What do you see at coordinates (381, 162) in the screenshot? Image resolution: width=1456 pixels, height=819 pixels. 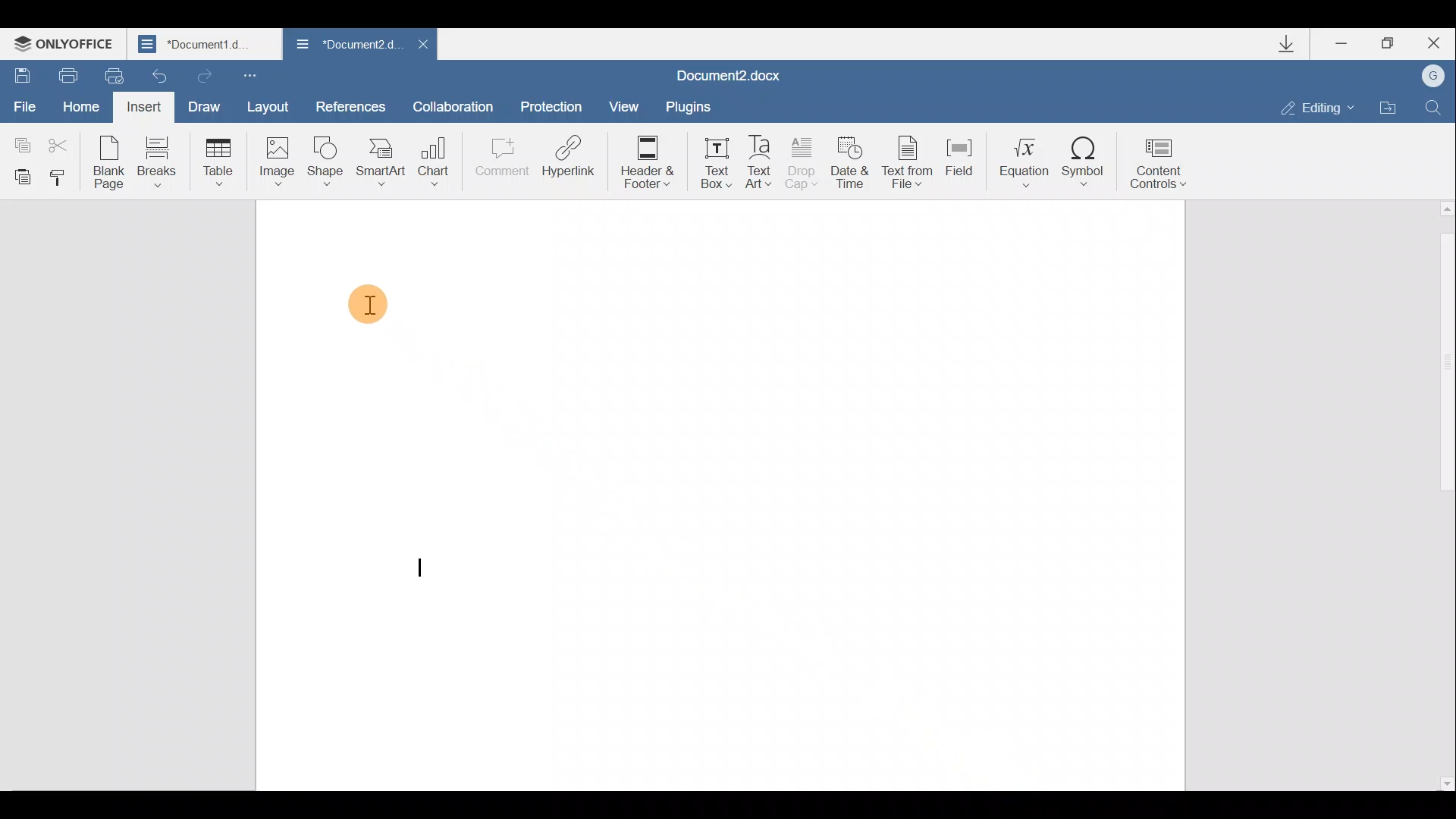 I see `SmartArt` at bounding box center [381, 162].